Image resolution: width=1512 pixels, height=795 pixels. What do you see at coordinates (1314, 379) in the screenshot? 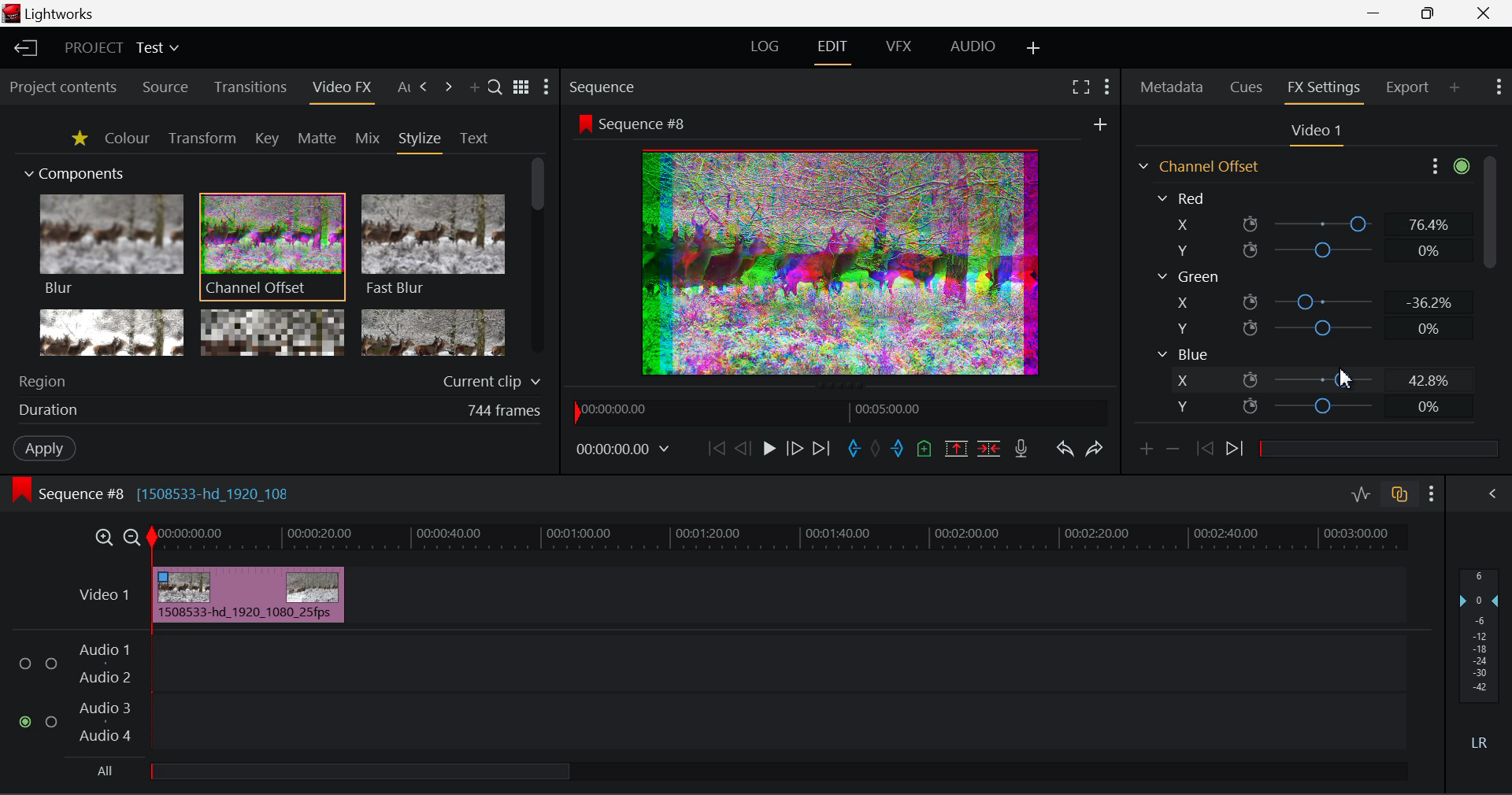
I see `Blue X` at bounding box center [1314, 379].